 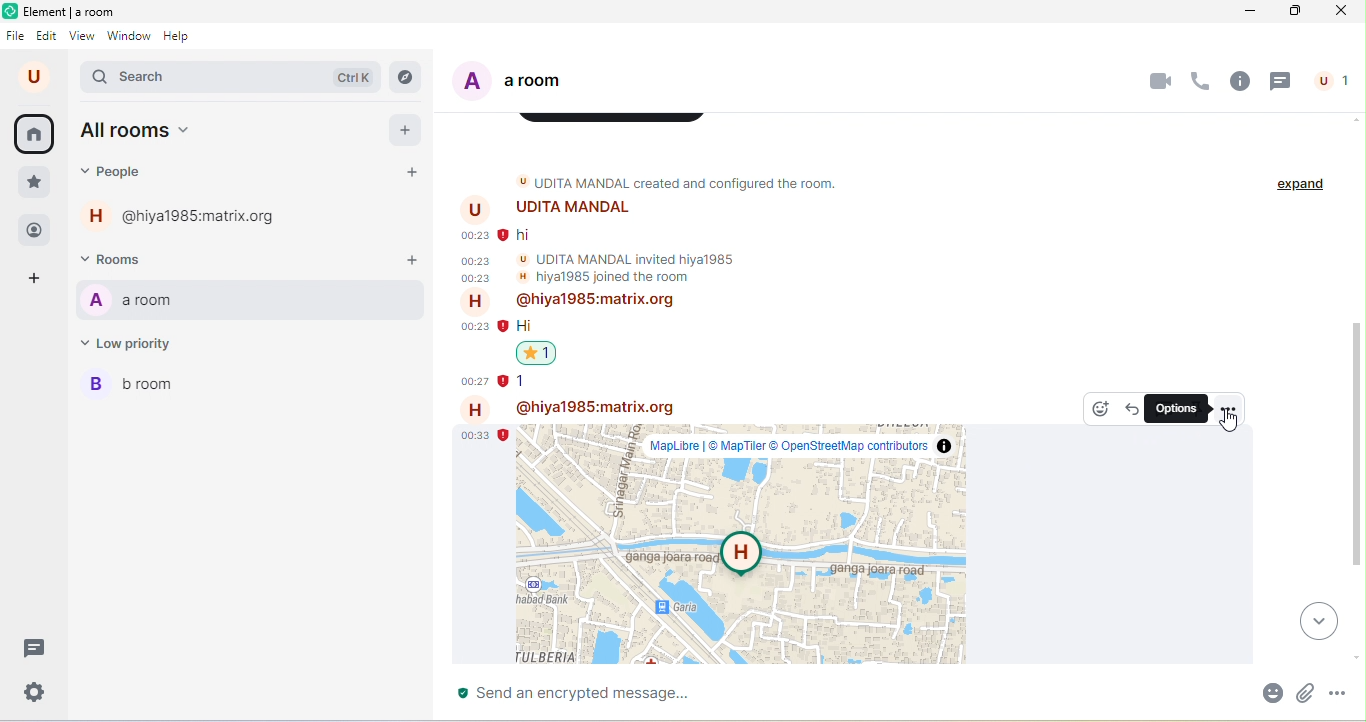 What do you see at coordinates (1346, 694) in the screenshot?
I see `more options` at bounding box center [1346, 694].